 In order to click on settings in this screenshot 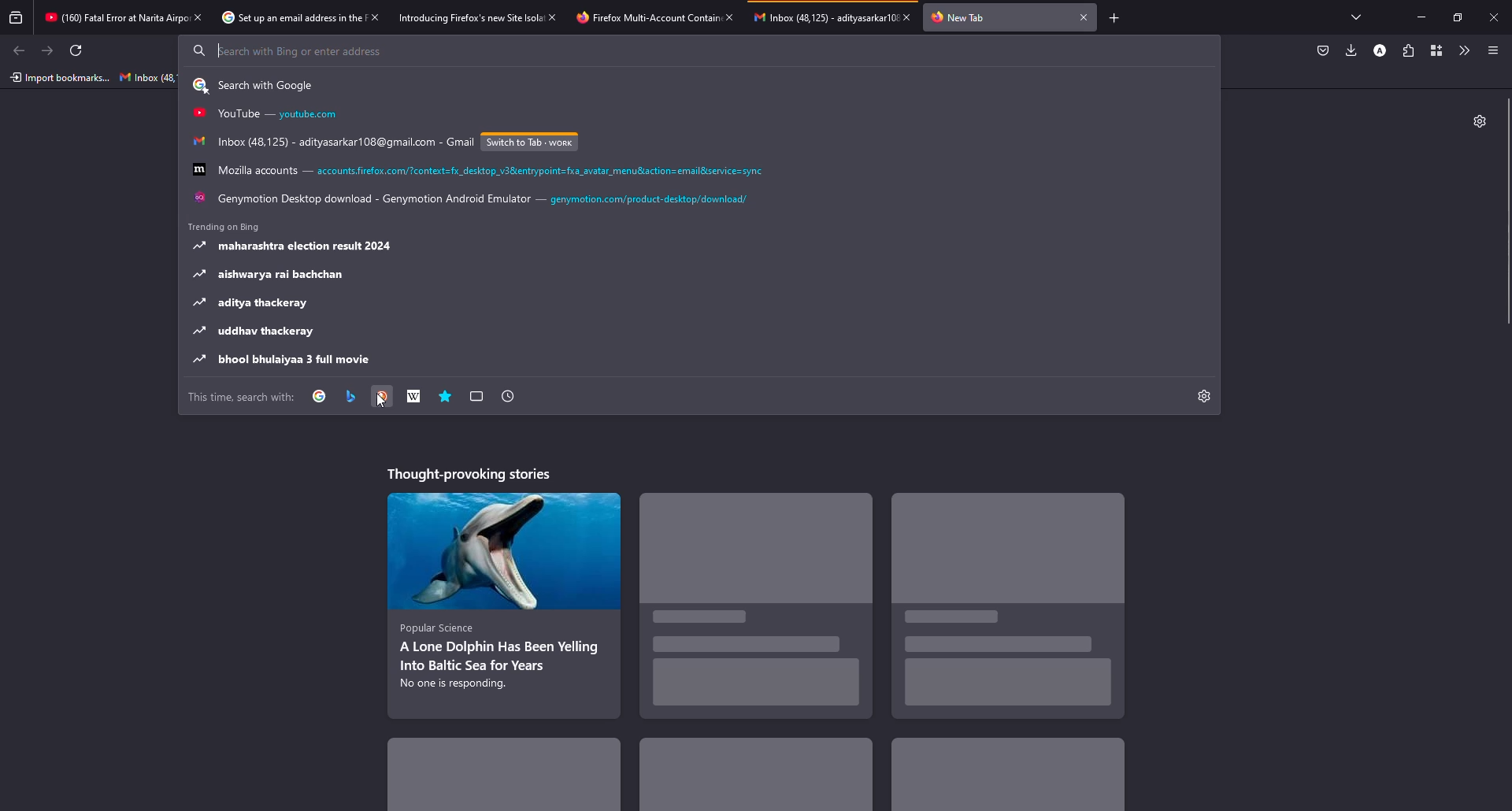, I will do `click(1479, 121)`.